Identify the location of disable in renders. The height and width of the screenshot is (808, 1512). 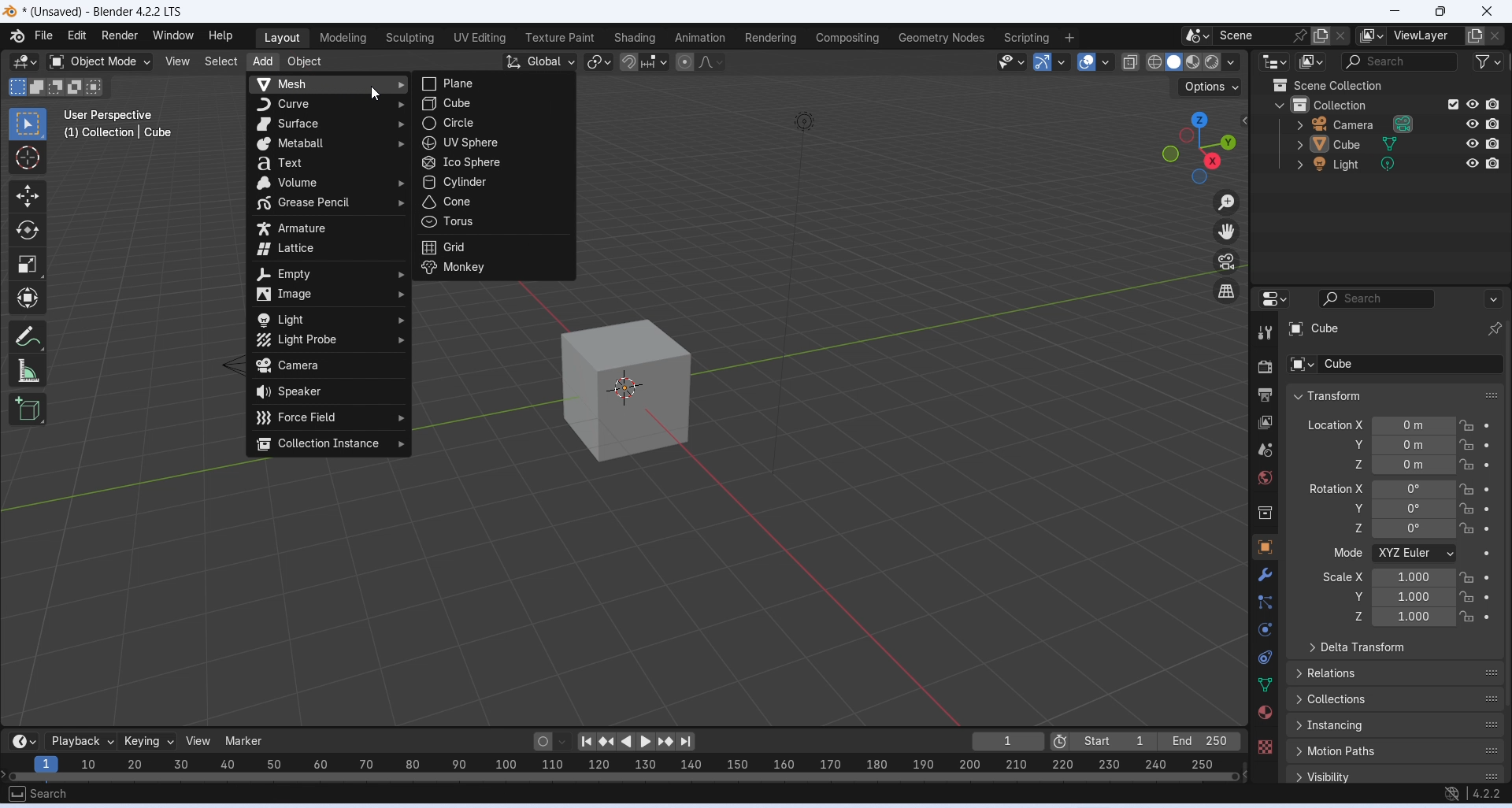
(1493, 105).